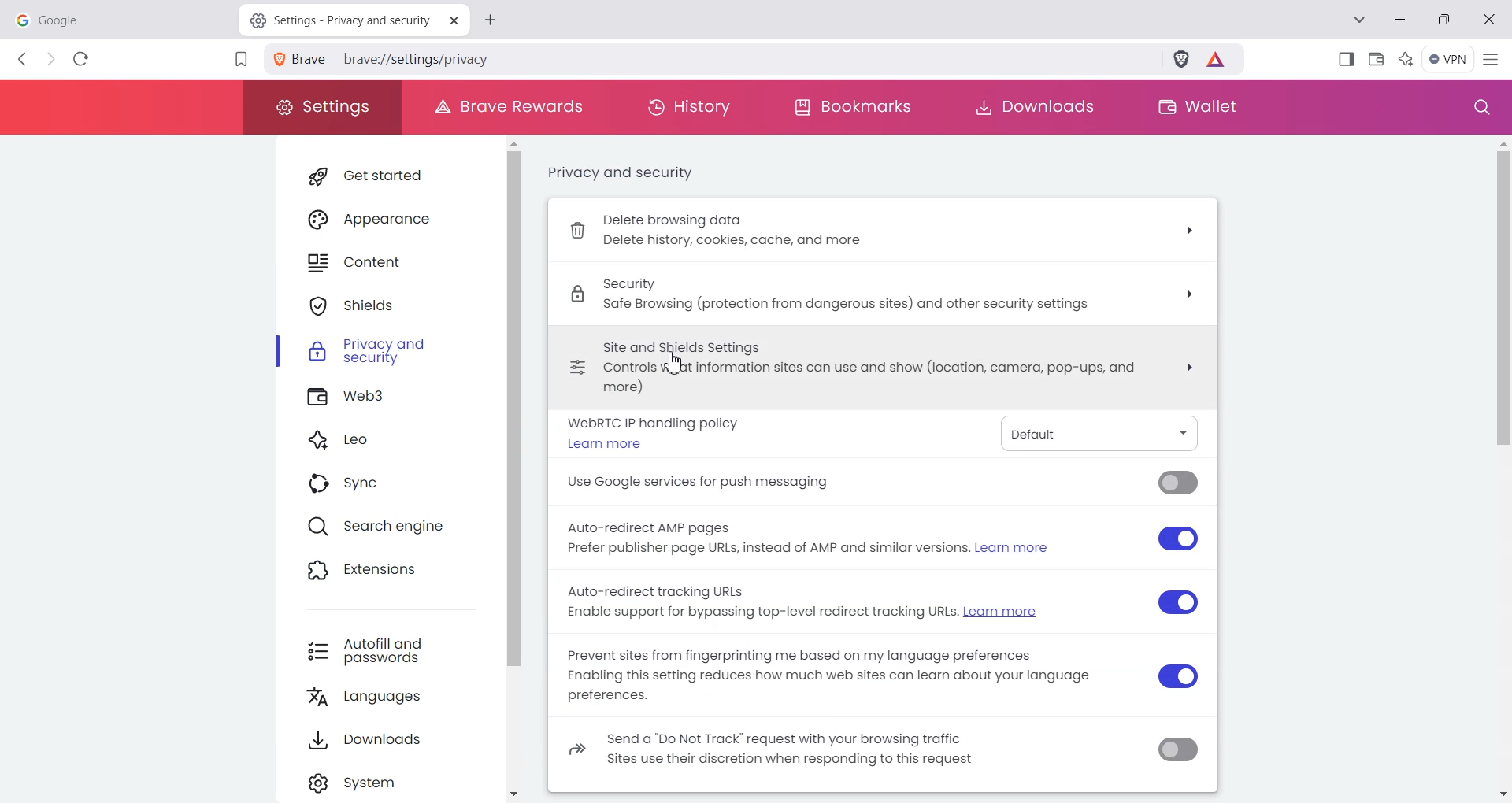 This screenshot has width=1512, height=803. What do you see at coordinates (50, 60) in the screenshot?
I see `Forward` at bounding box center [50, 60].